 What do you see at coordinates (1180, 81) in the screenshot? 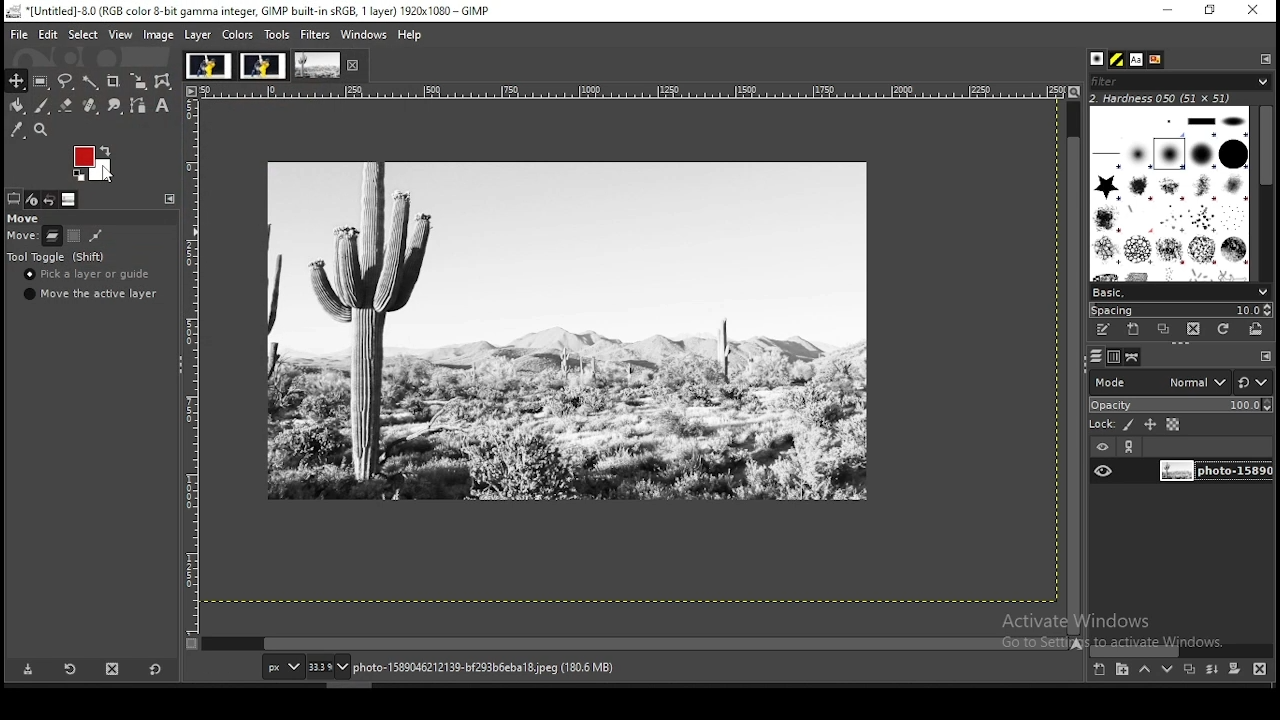
I see `filter brushes` at bounding box center [1180, 81].